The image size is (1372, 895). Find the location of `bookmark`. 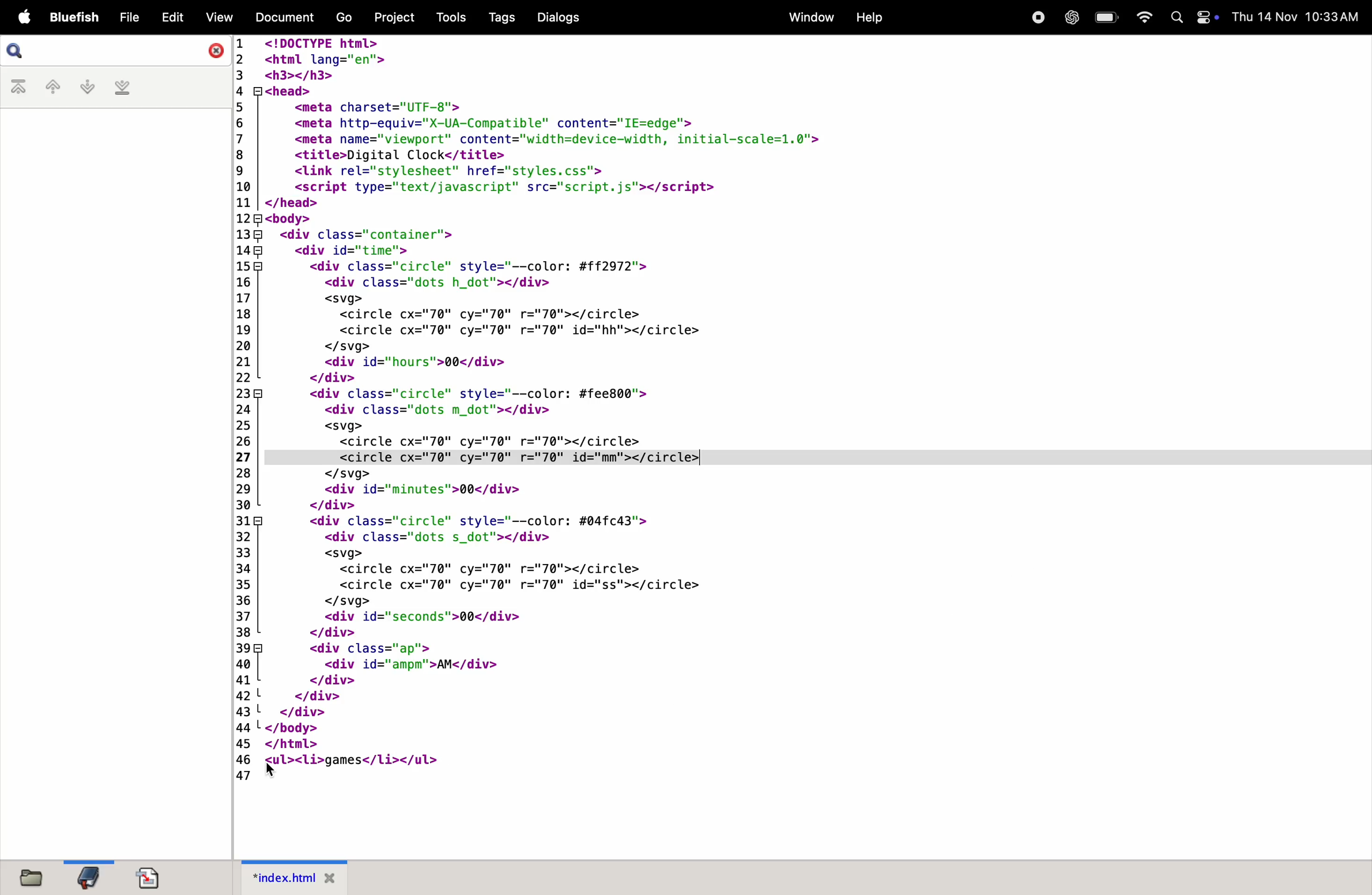

bookmark is located at coordinates (91, 875).